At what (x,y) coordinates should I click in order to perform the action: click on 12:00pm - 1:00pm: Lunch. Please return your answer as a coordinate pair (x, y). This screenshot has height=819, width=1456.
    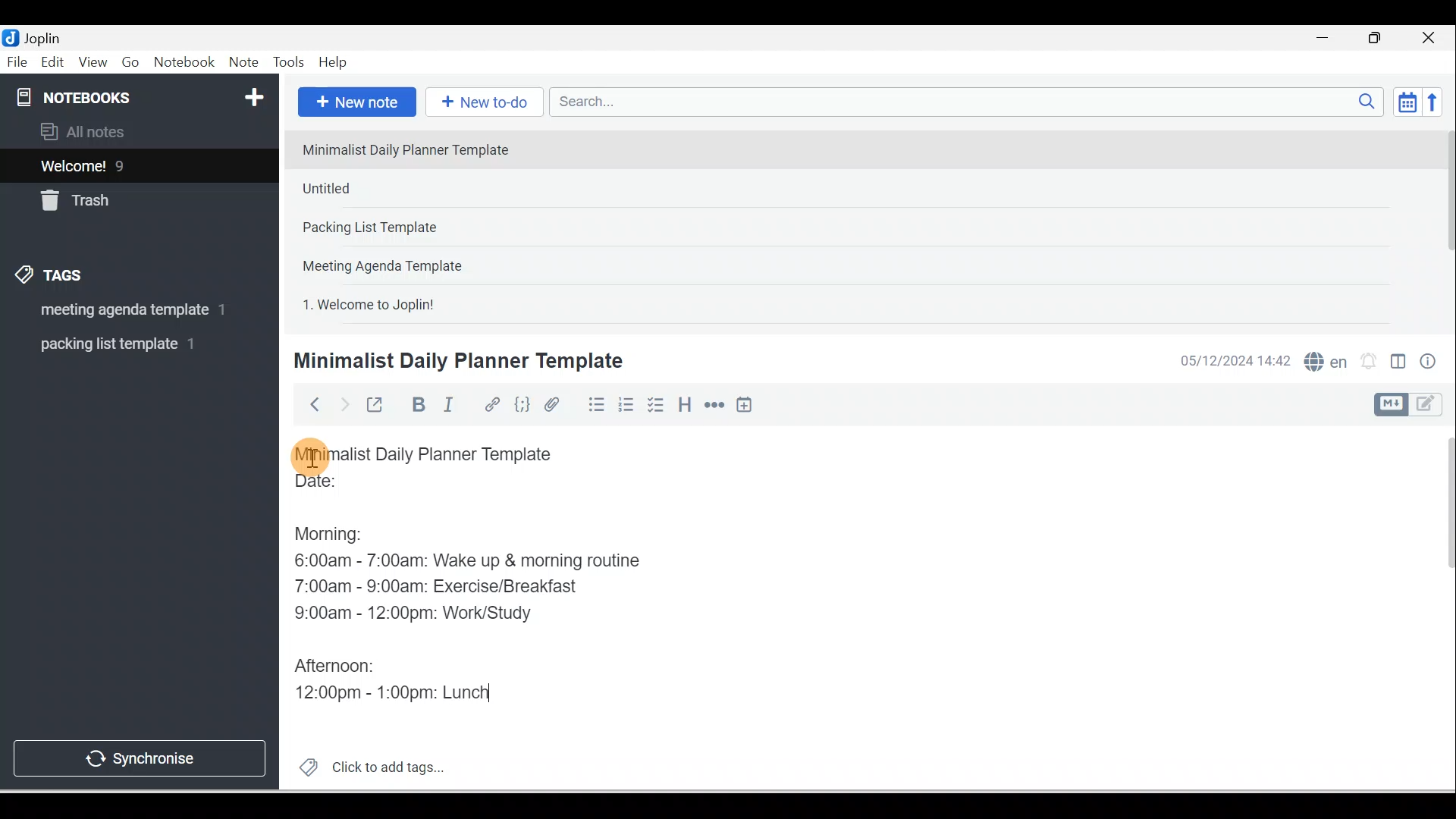
    Looking at the image, I should click on (412, 688).